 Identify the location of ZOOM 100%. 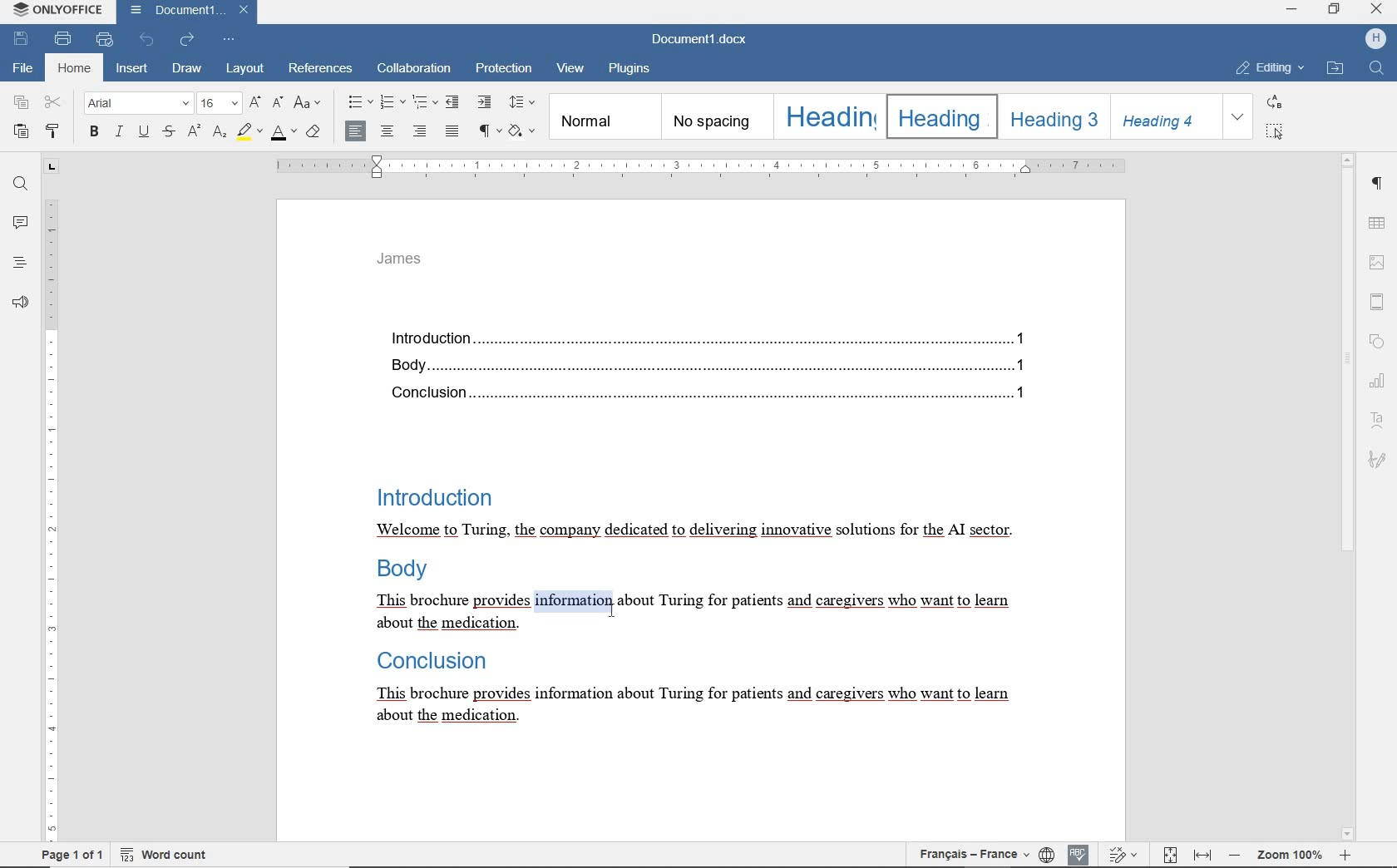
(1288, 853).